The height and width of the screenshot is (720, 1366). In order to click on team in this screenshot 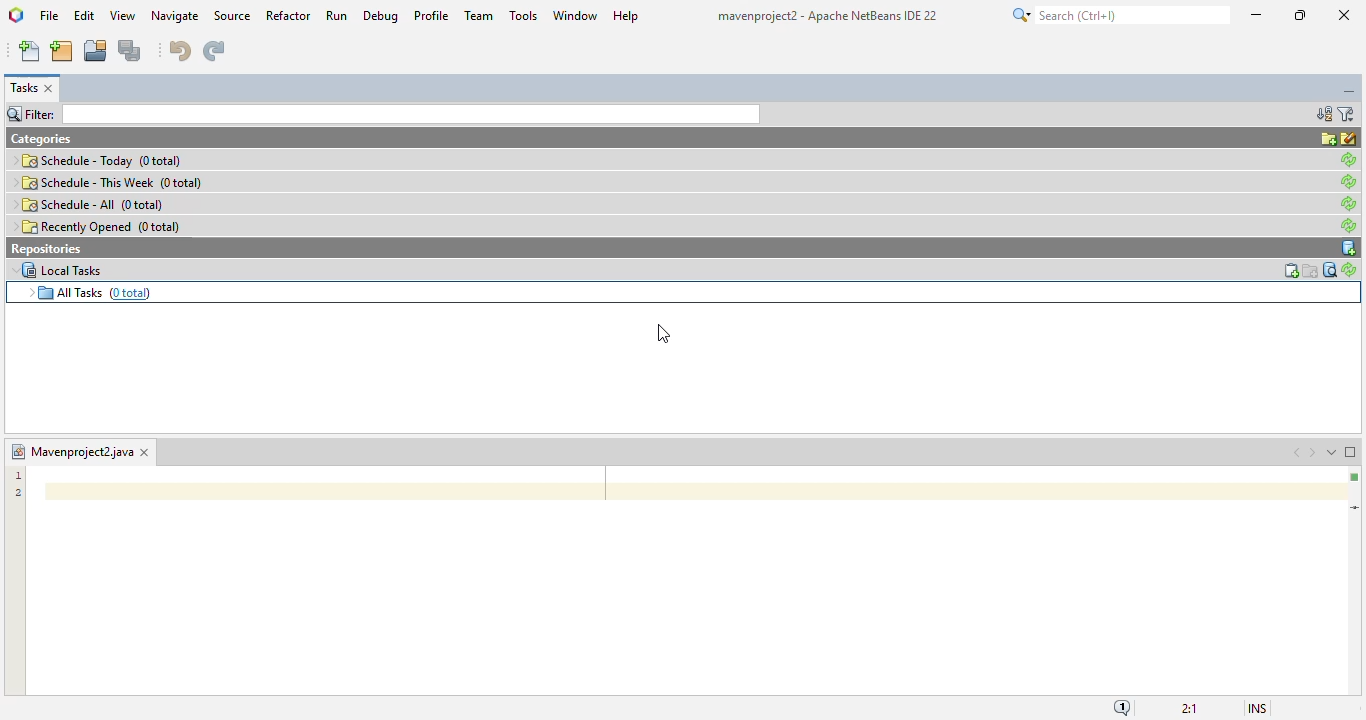, I will do `click(479, 15)`.